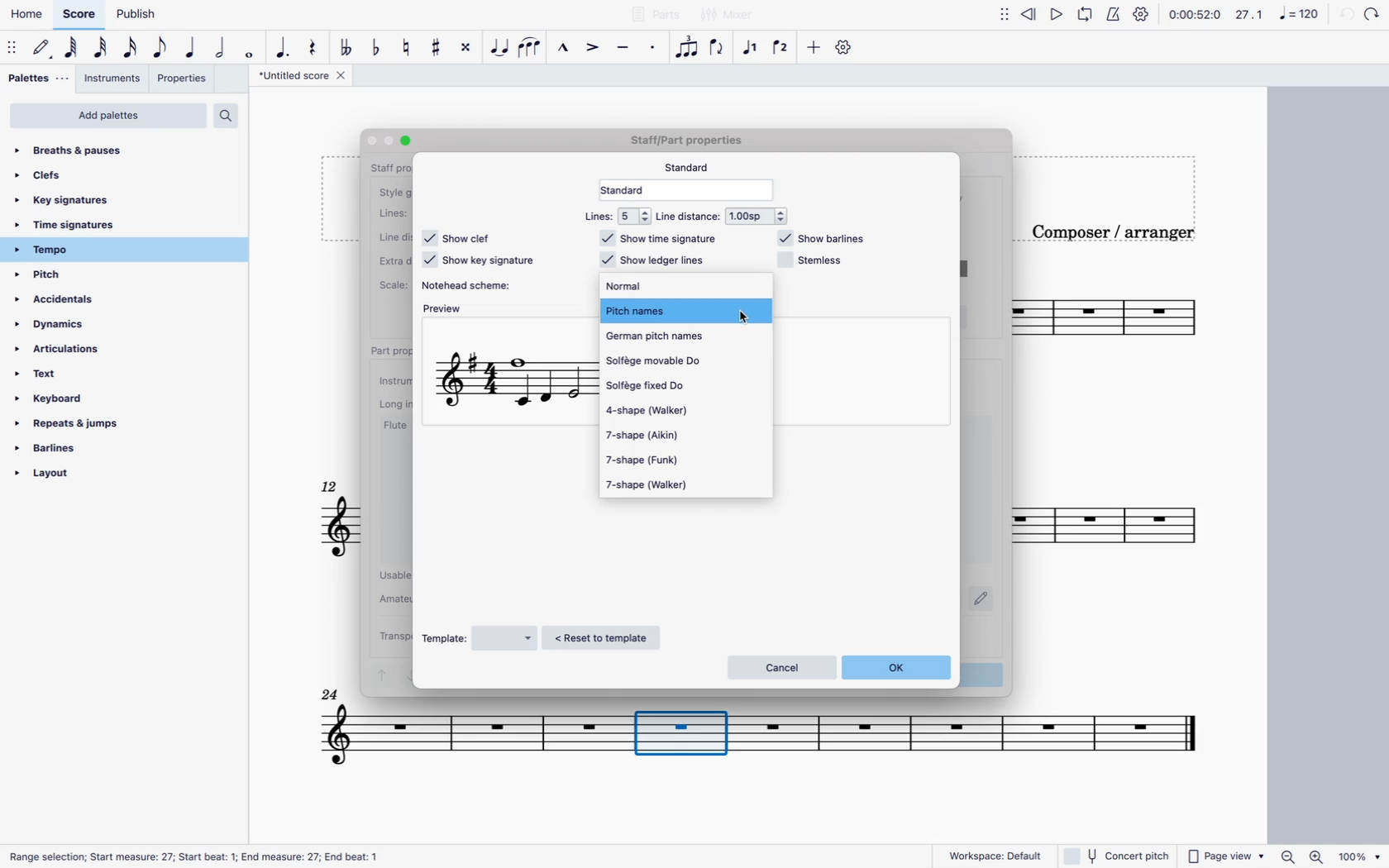 The width and height of the screenshot is (1389, 868). I want to click on double toggle flat, so click(346, 48).